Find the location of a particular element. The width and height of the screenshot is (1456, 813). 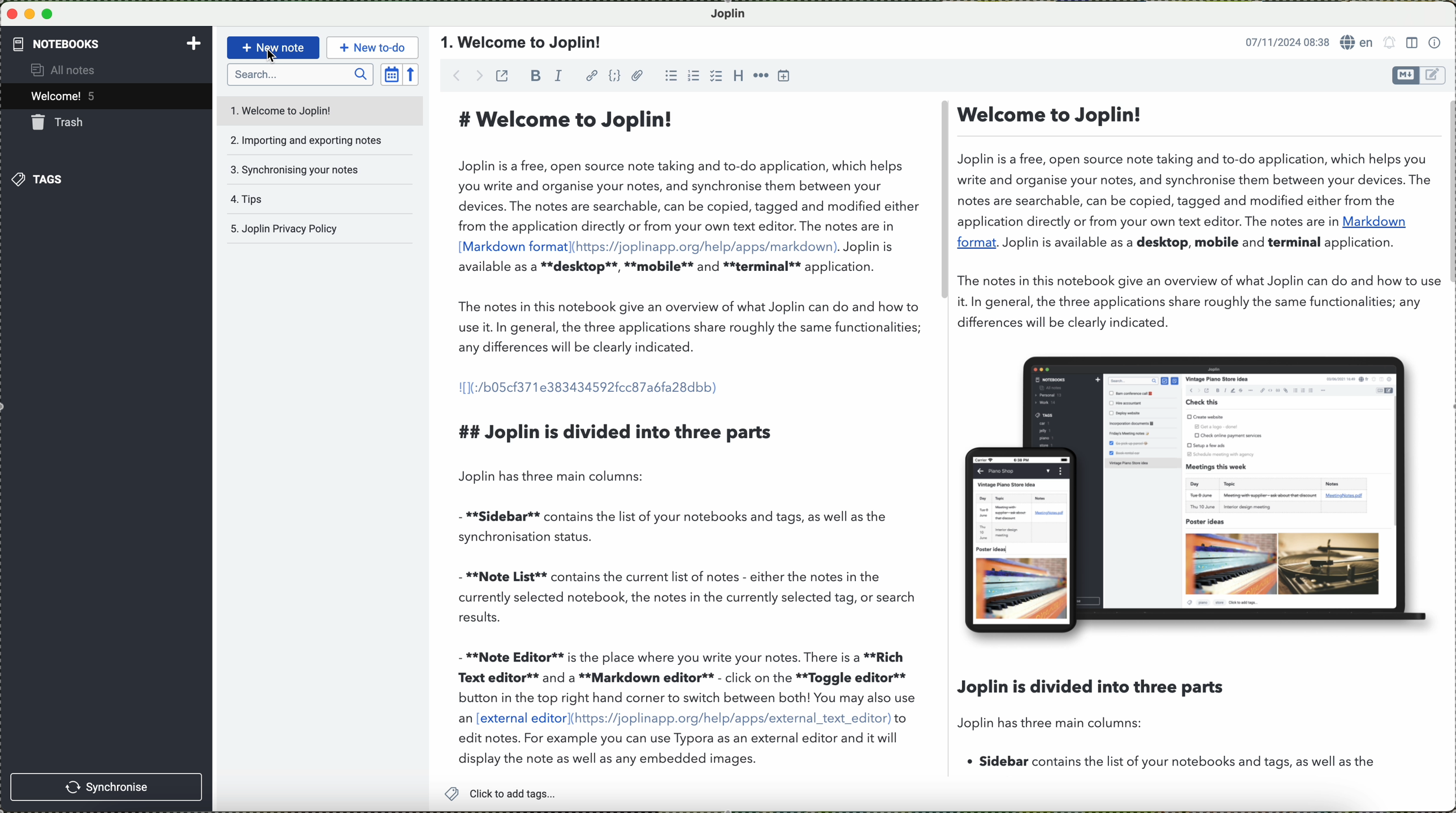

worksapce is located at coordinates (942, 438).